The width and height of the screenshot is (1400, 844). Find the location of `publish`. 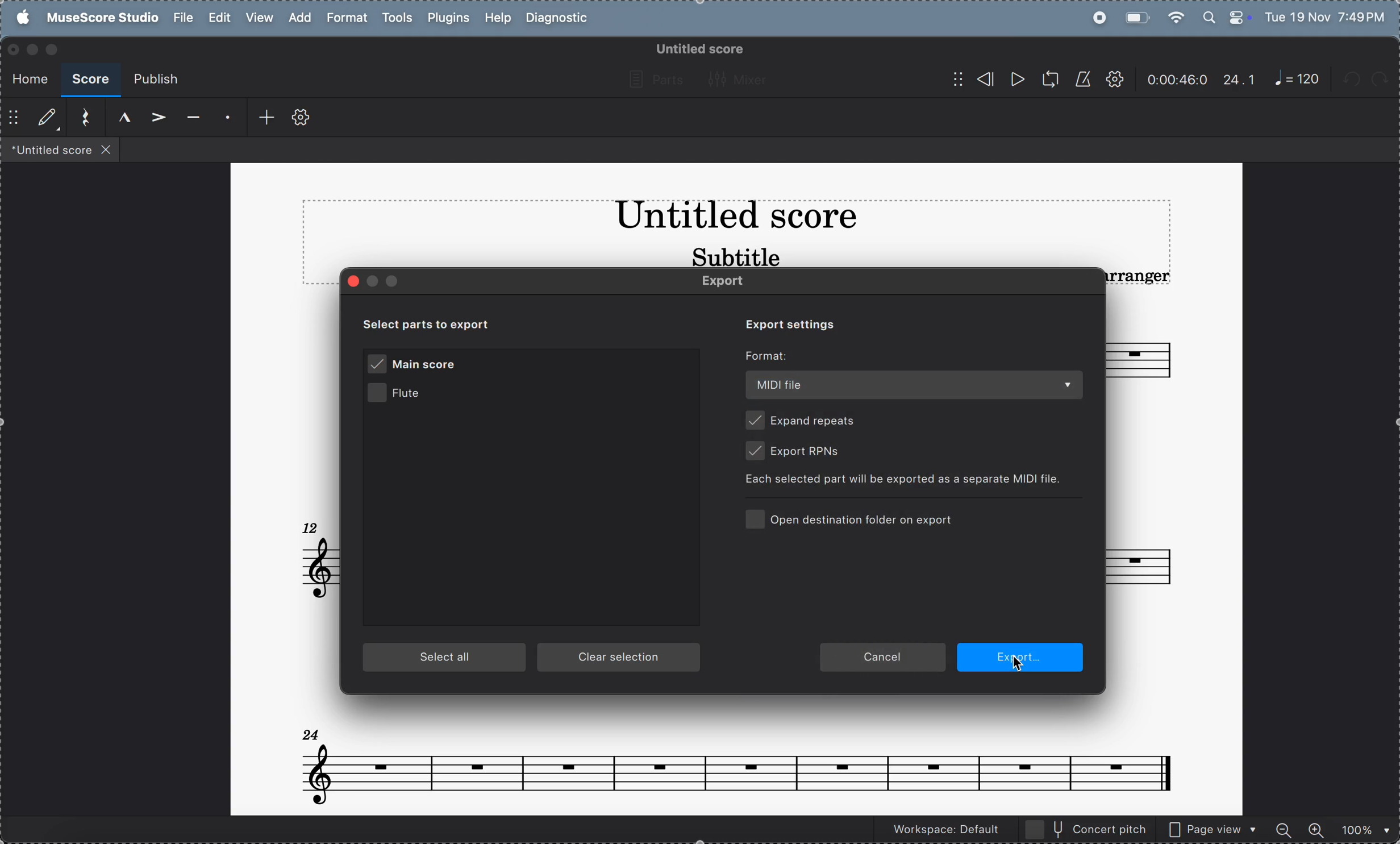

publish is located at coordinates (155, 80).